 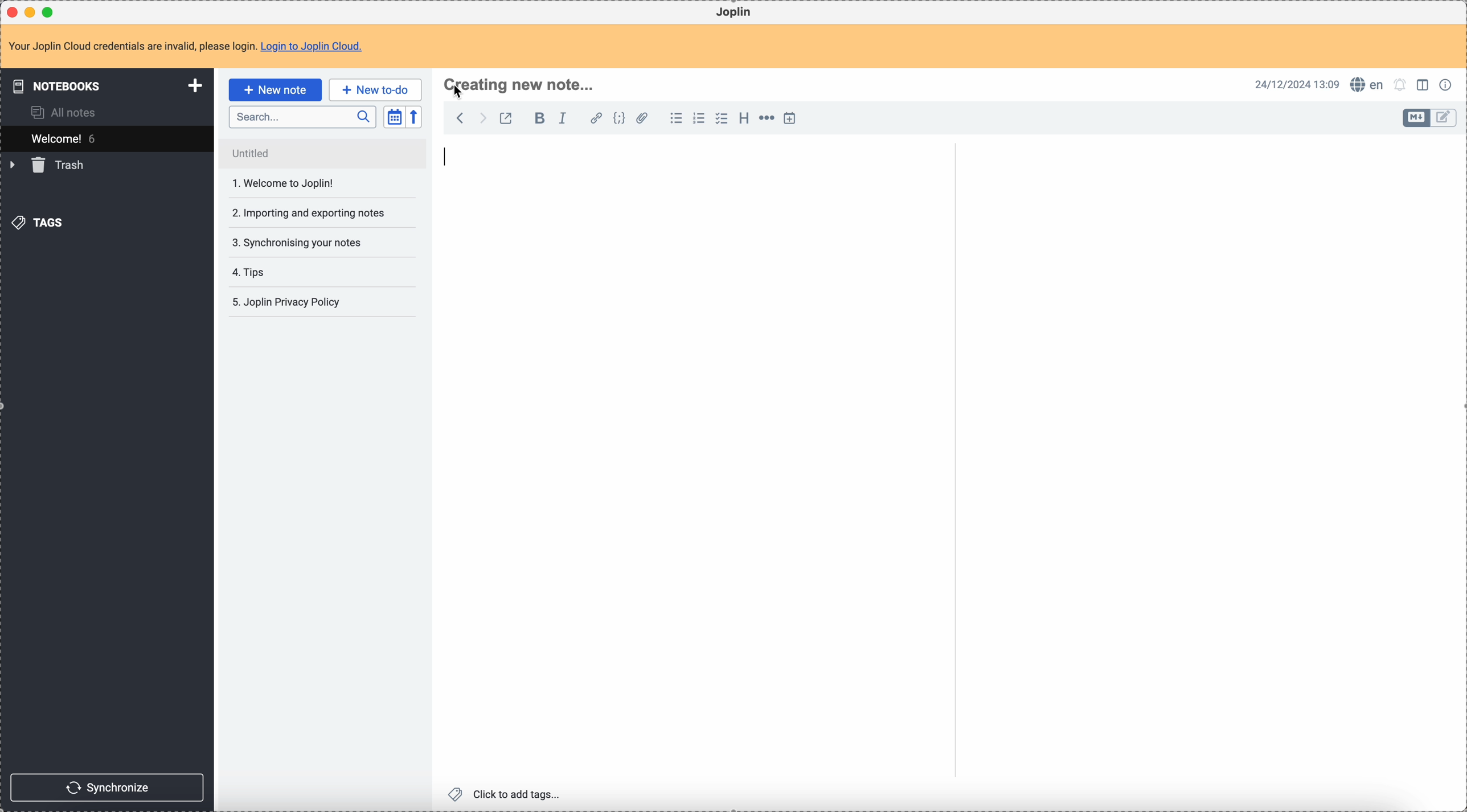 What do you see at coordinates (108, 788) in the screenshot?
I see `synchronize` at bounding box center [108, 788].